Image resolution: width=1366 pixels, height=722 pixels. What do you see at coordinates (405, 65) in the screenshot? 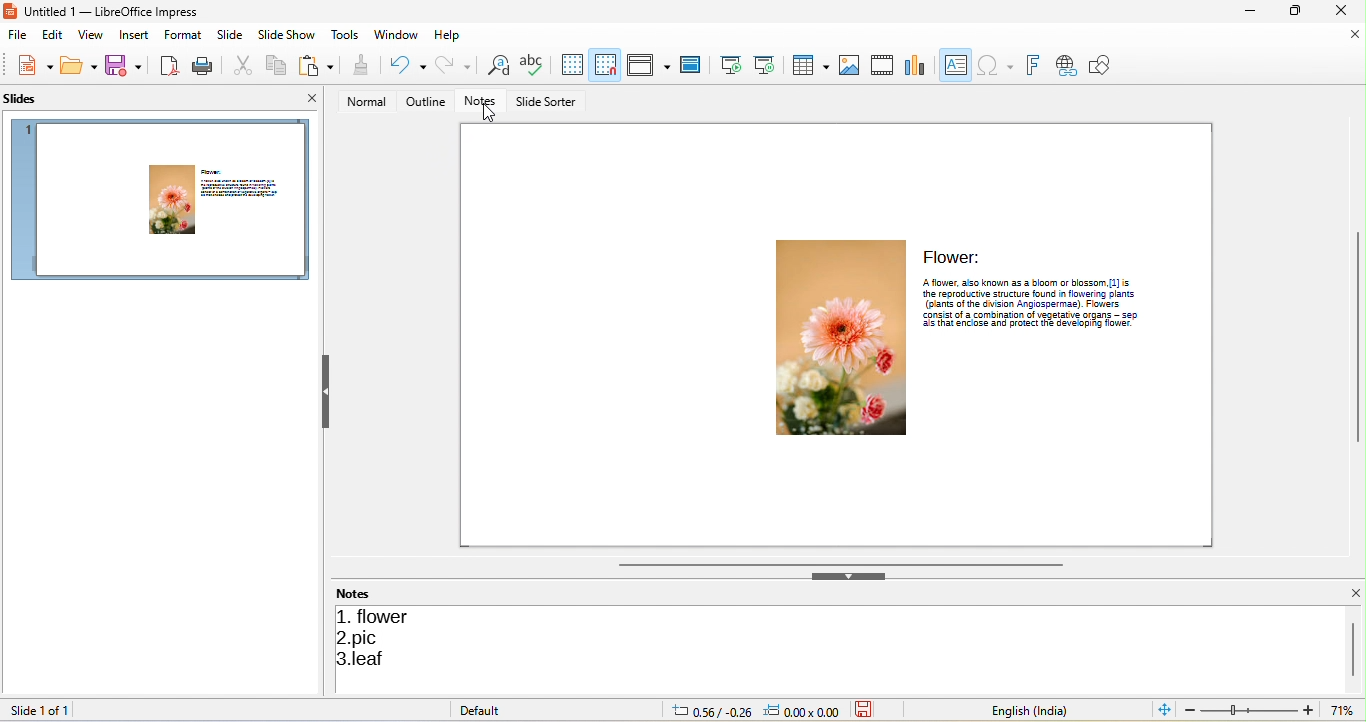
I see `undo` at bounding box center [405, 65].